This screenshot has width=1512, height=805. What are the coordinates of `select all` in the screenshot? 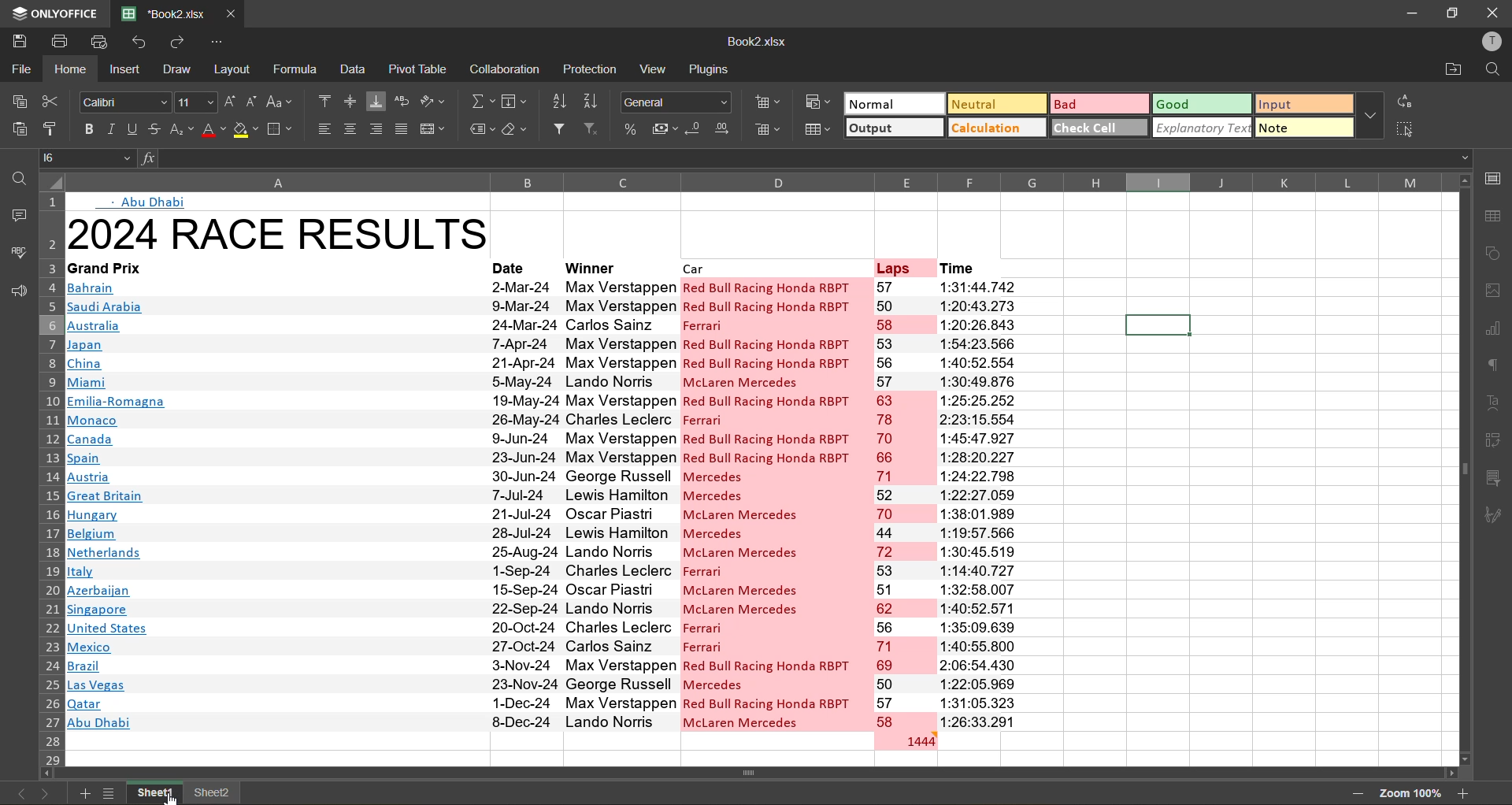 It's located at (1404, 128).